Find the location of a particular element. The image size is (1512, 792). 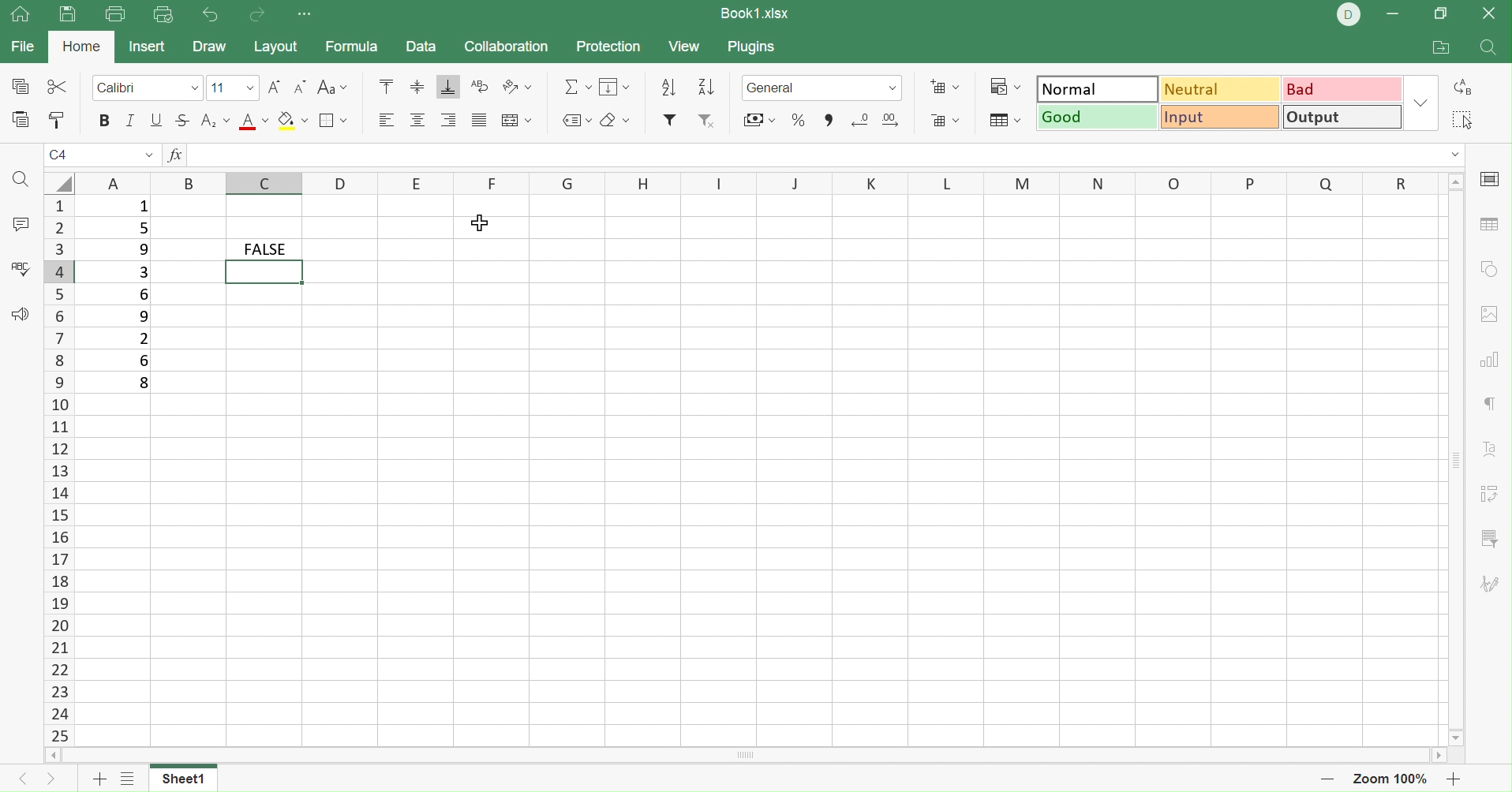

Home is located at coordinates (84, 45).